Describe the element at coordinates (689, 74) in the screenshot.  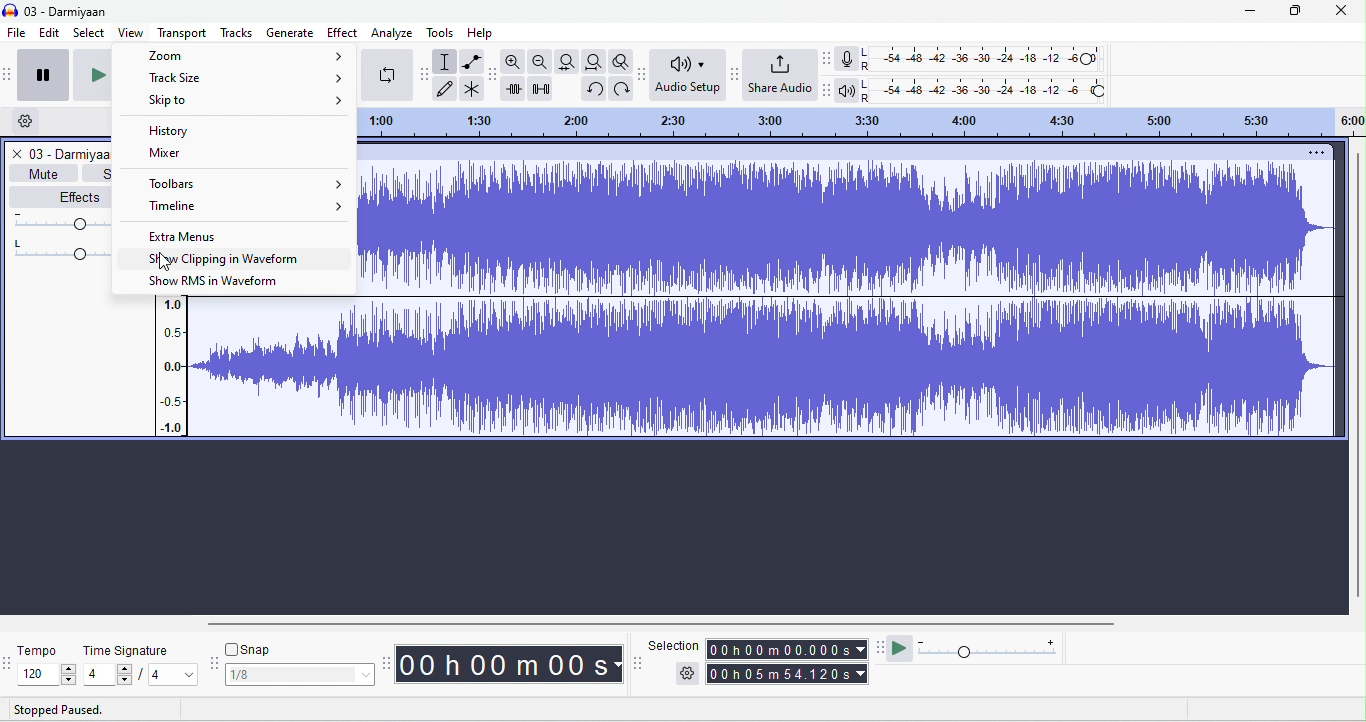
I see `audio set up` at that location.